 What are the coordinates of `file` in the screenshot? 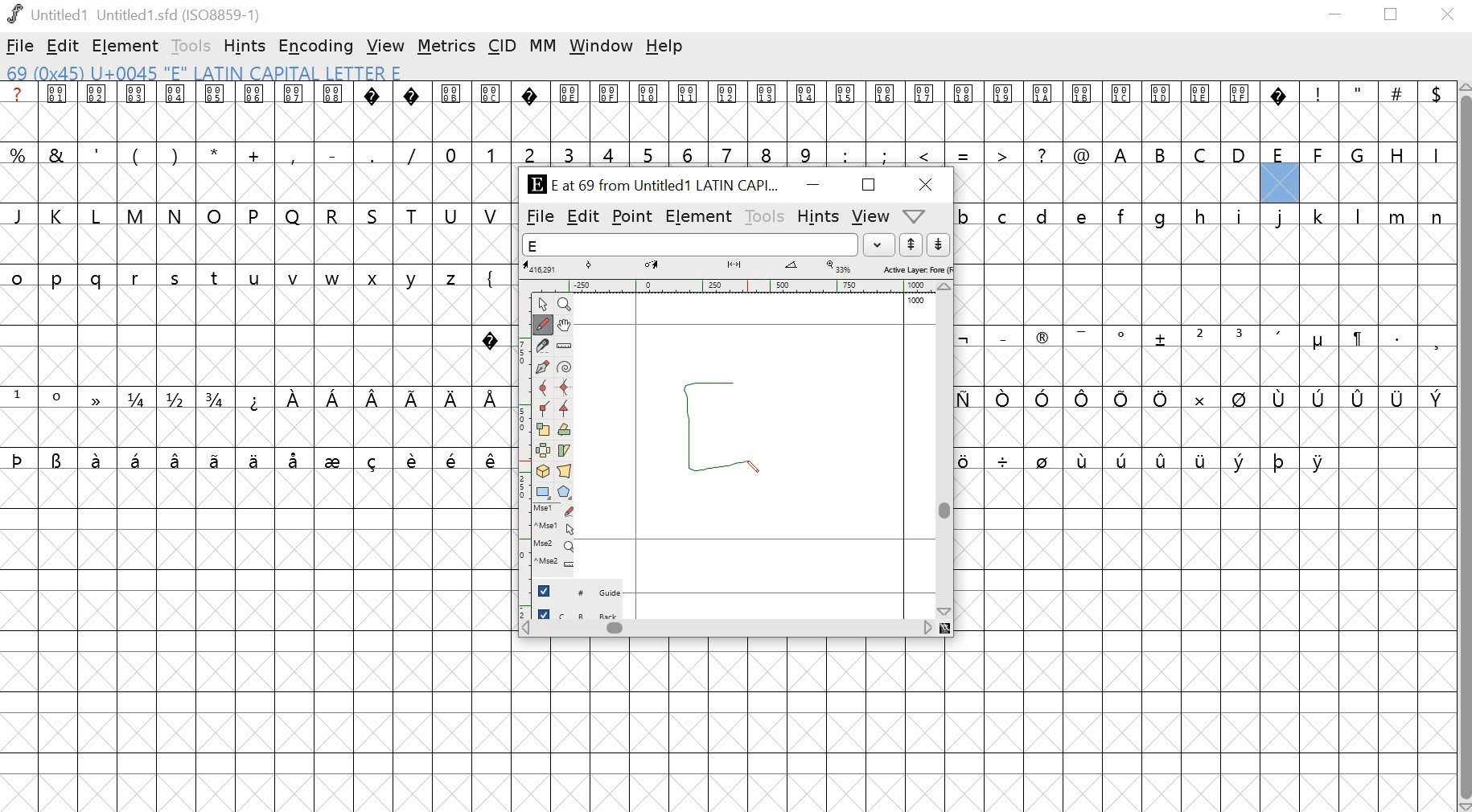 It's located at (540, 217).